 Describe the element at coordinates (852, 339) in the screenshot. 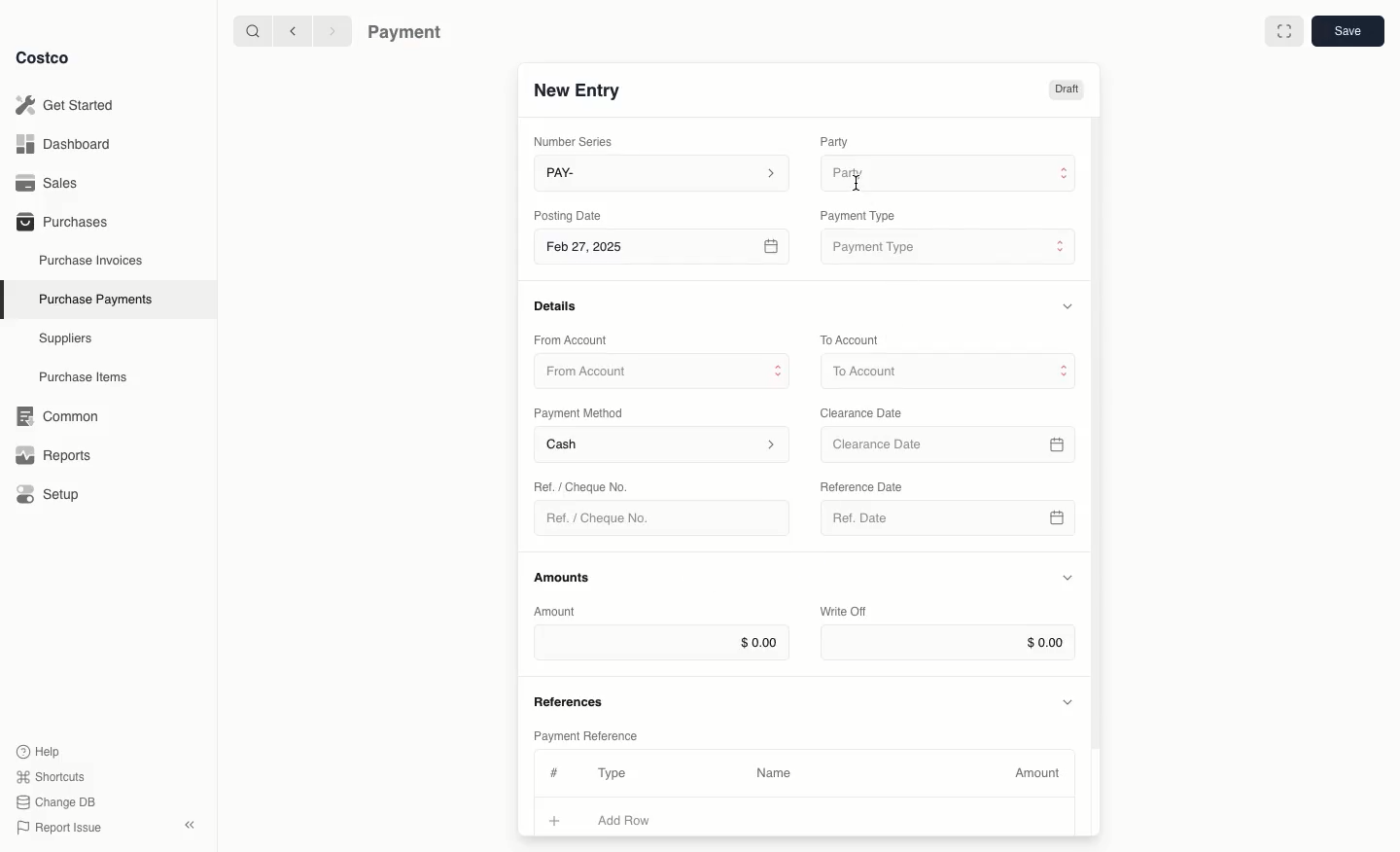

I see `To Account` at that location.